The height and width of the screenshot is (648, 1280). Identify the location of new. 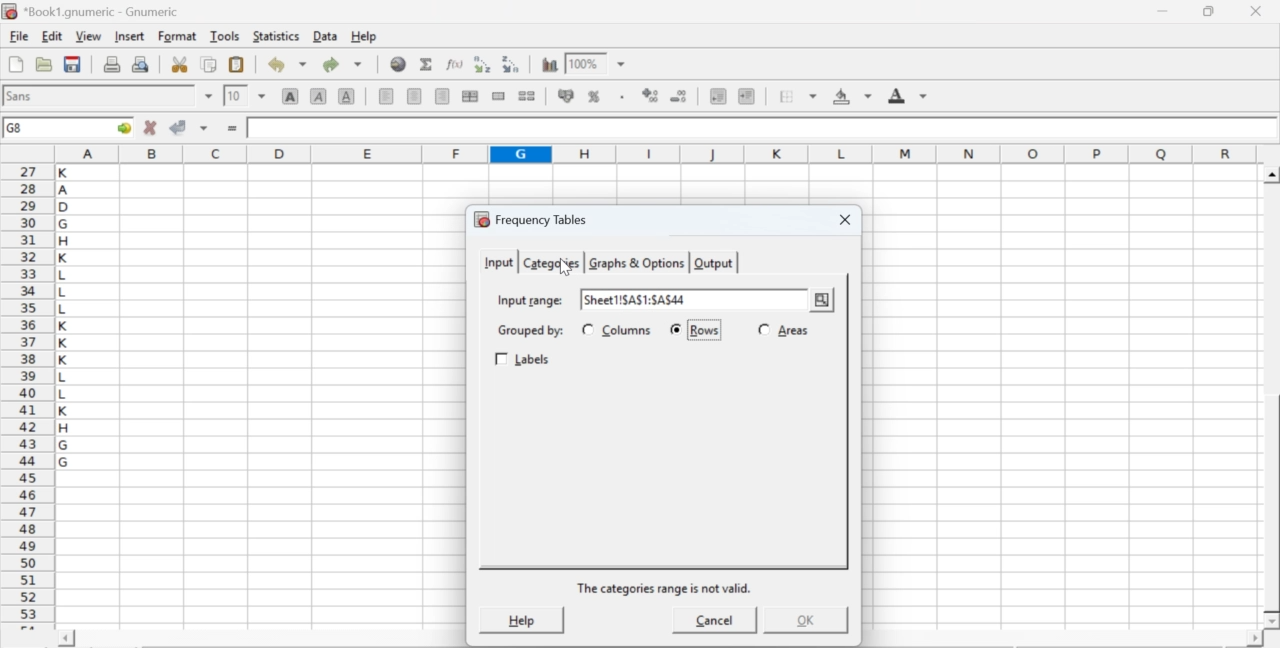
(15, 64).